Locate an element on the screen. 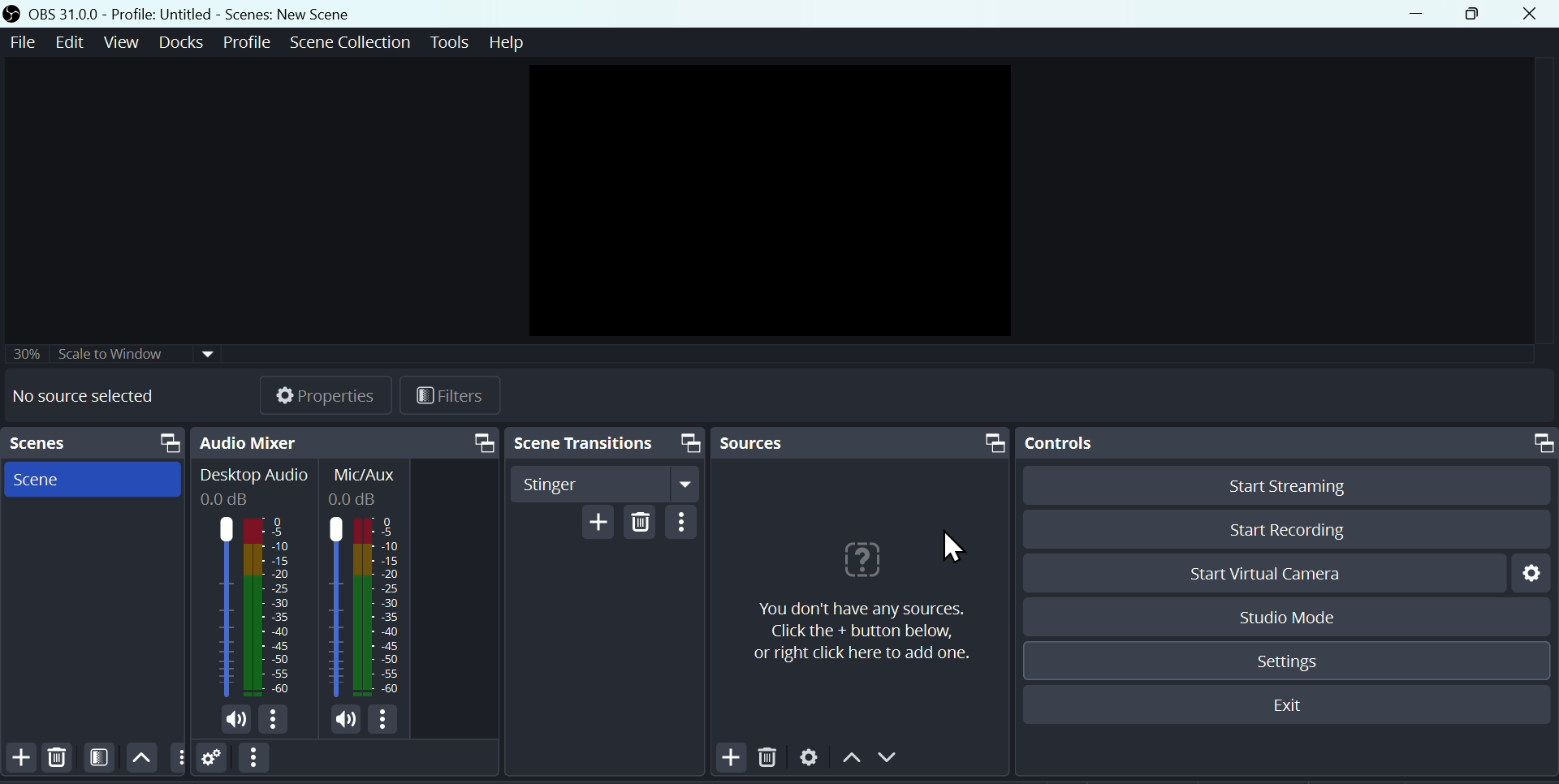 Image resolution: width=1559 pixels, height=784 pixels. maximize is located at coordinates (689, 443).